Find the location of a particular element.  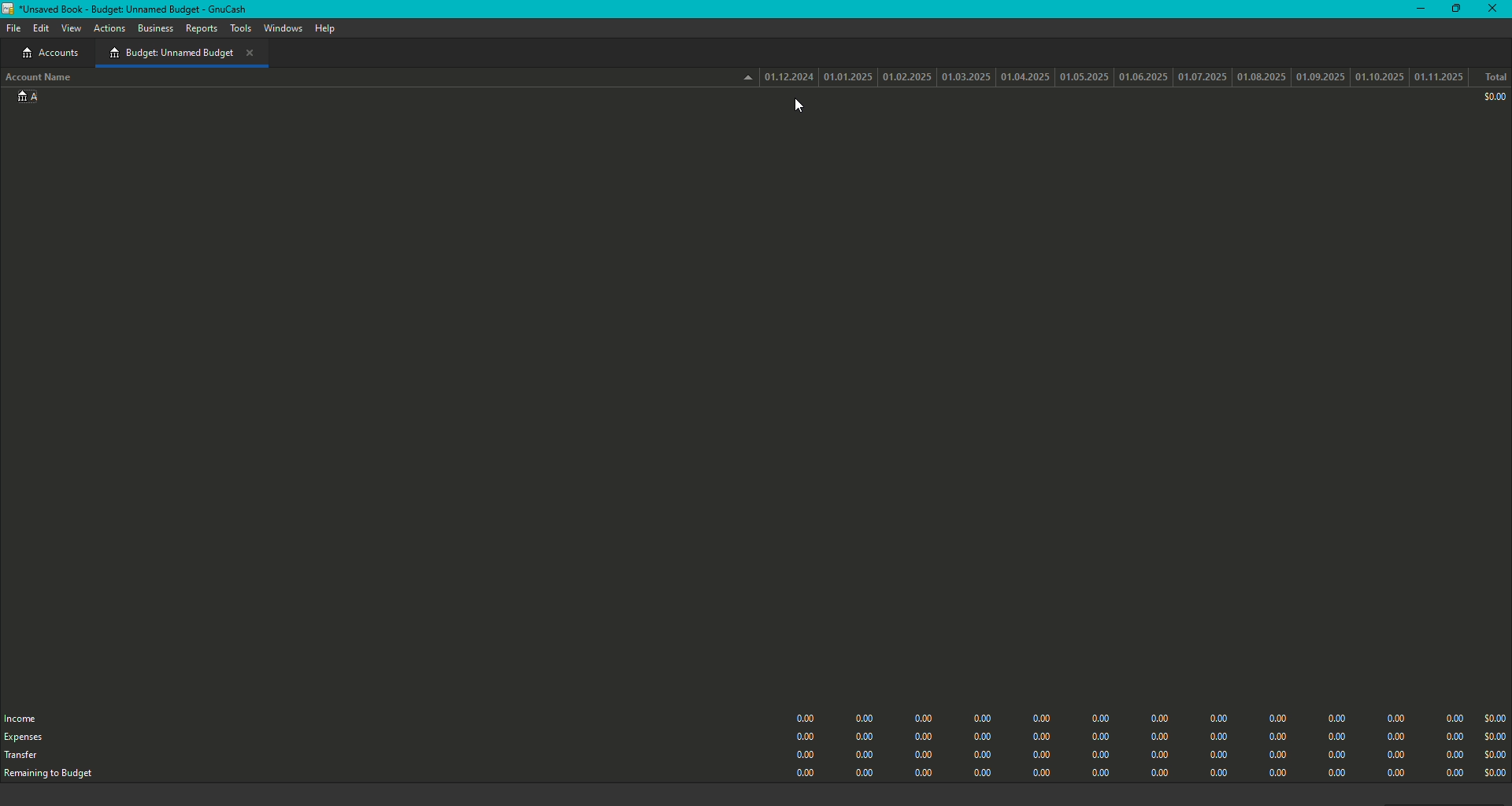

Remaining to Budget is located at coordinates (57, 775).